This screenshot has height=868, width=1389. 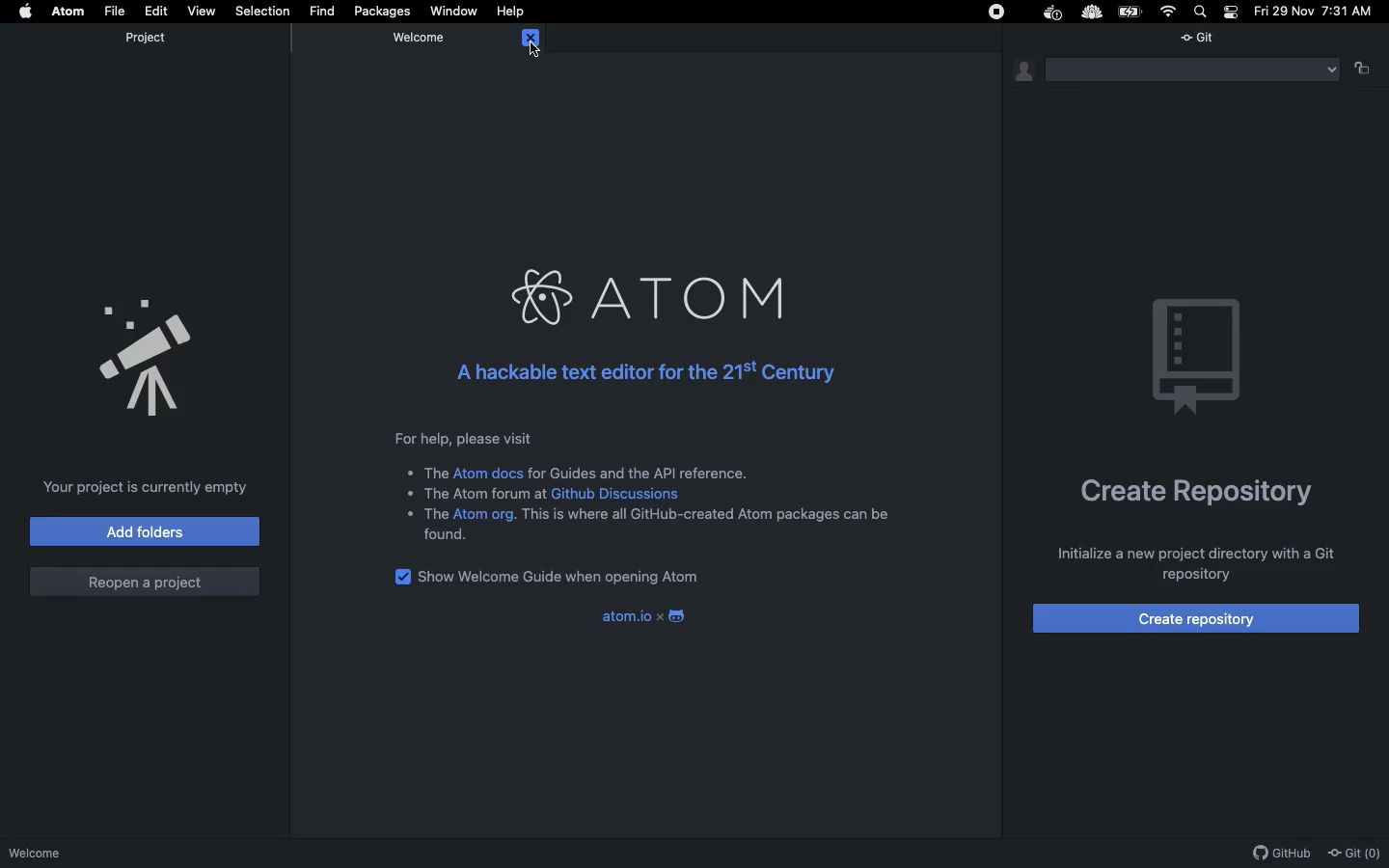 I want to click on Find, so click(x=323, y=10).